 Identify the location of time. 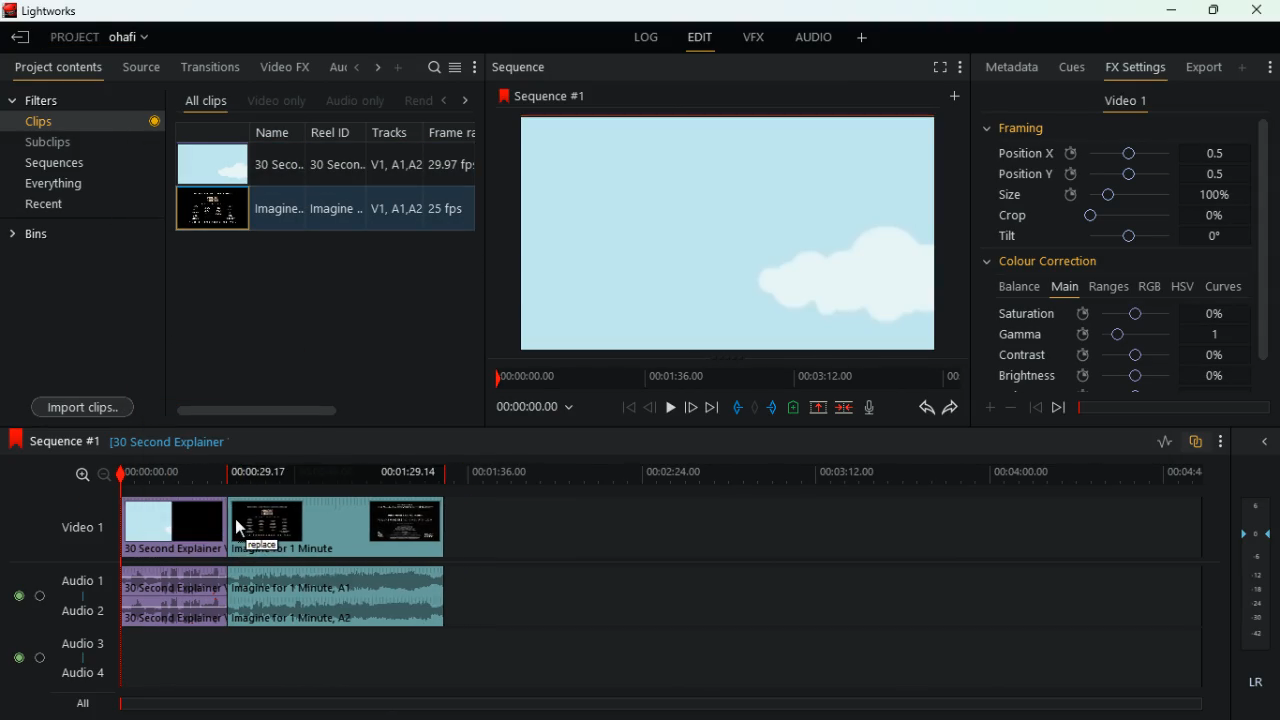
(533, 409).